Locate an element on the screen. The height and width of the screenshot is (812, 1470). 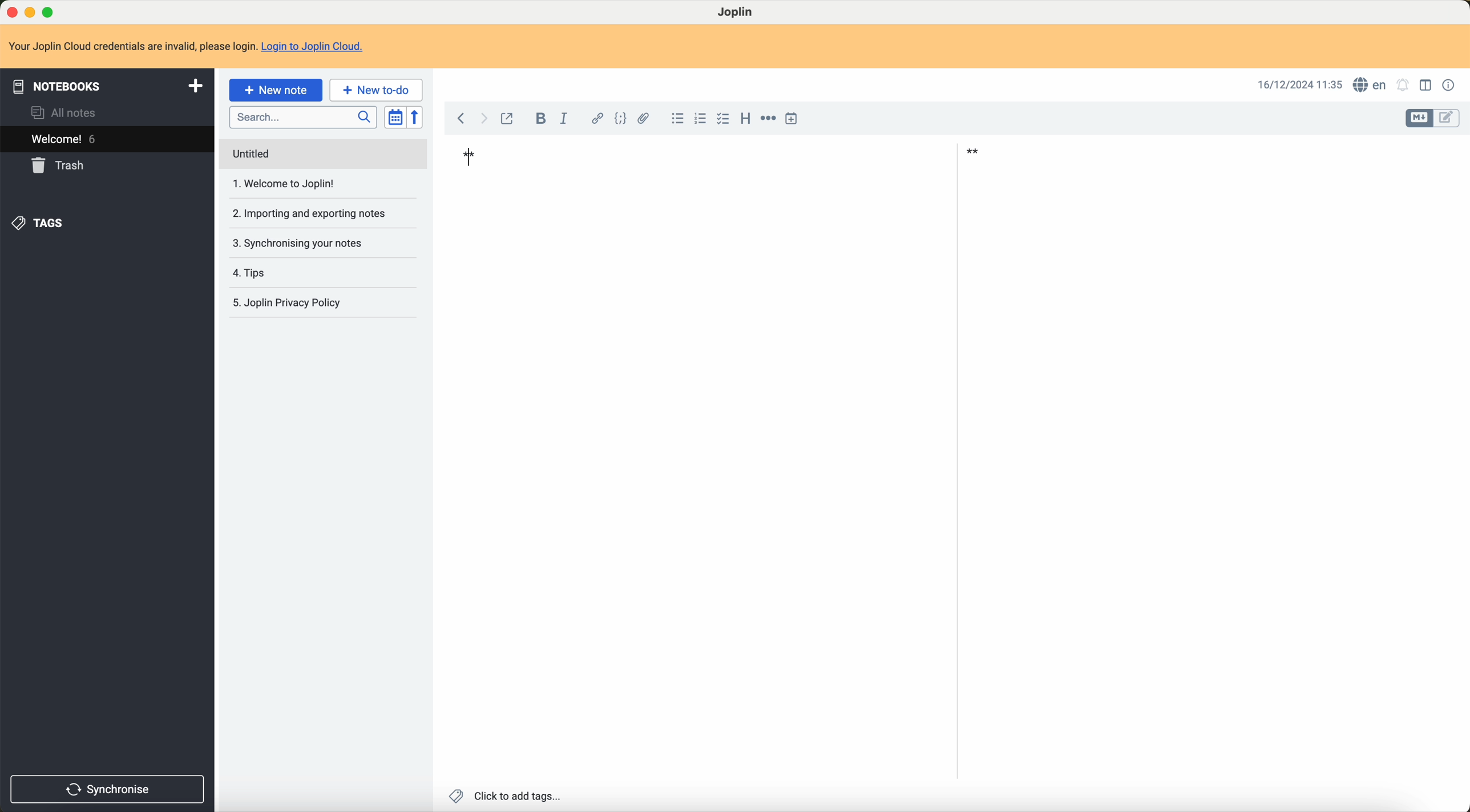
horizontal rule is located at coordinates (768, 118).